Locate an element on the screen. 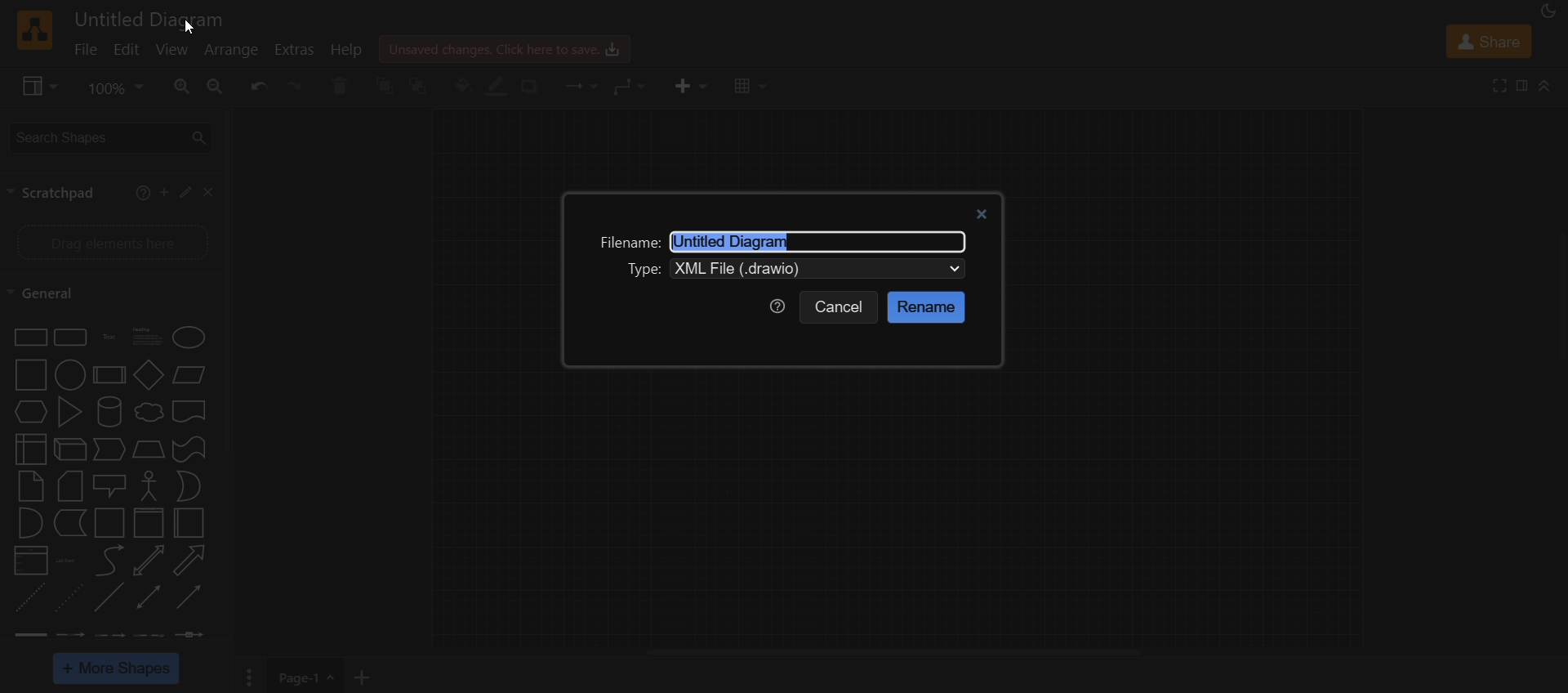 This screenshot has height=693, width=1568. zoom is located at coordinates (113, 90).